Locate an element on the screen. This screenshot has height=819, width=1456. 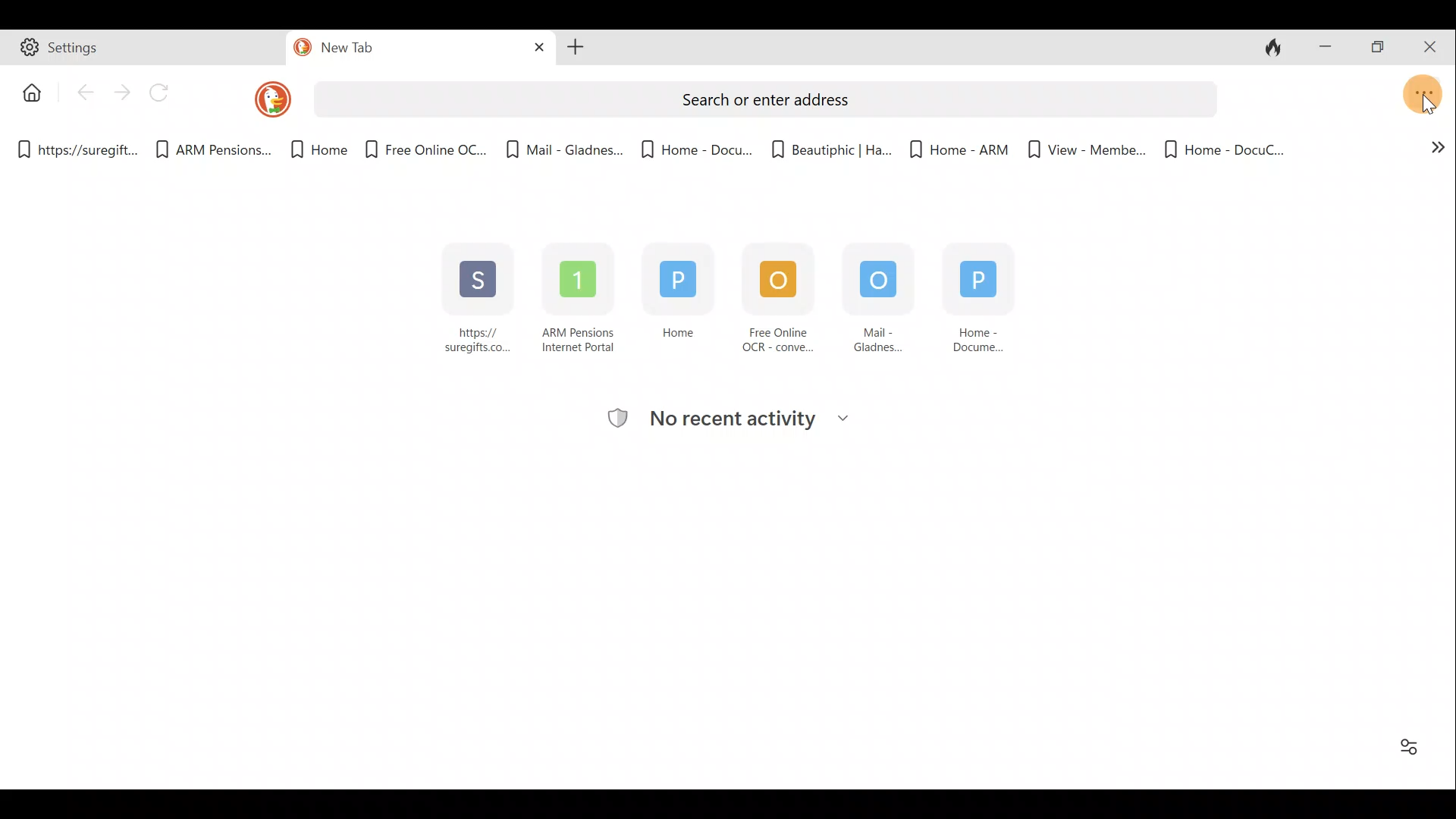
Minimise is located at coordinates (1325, 49).